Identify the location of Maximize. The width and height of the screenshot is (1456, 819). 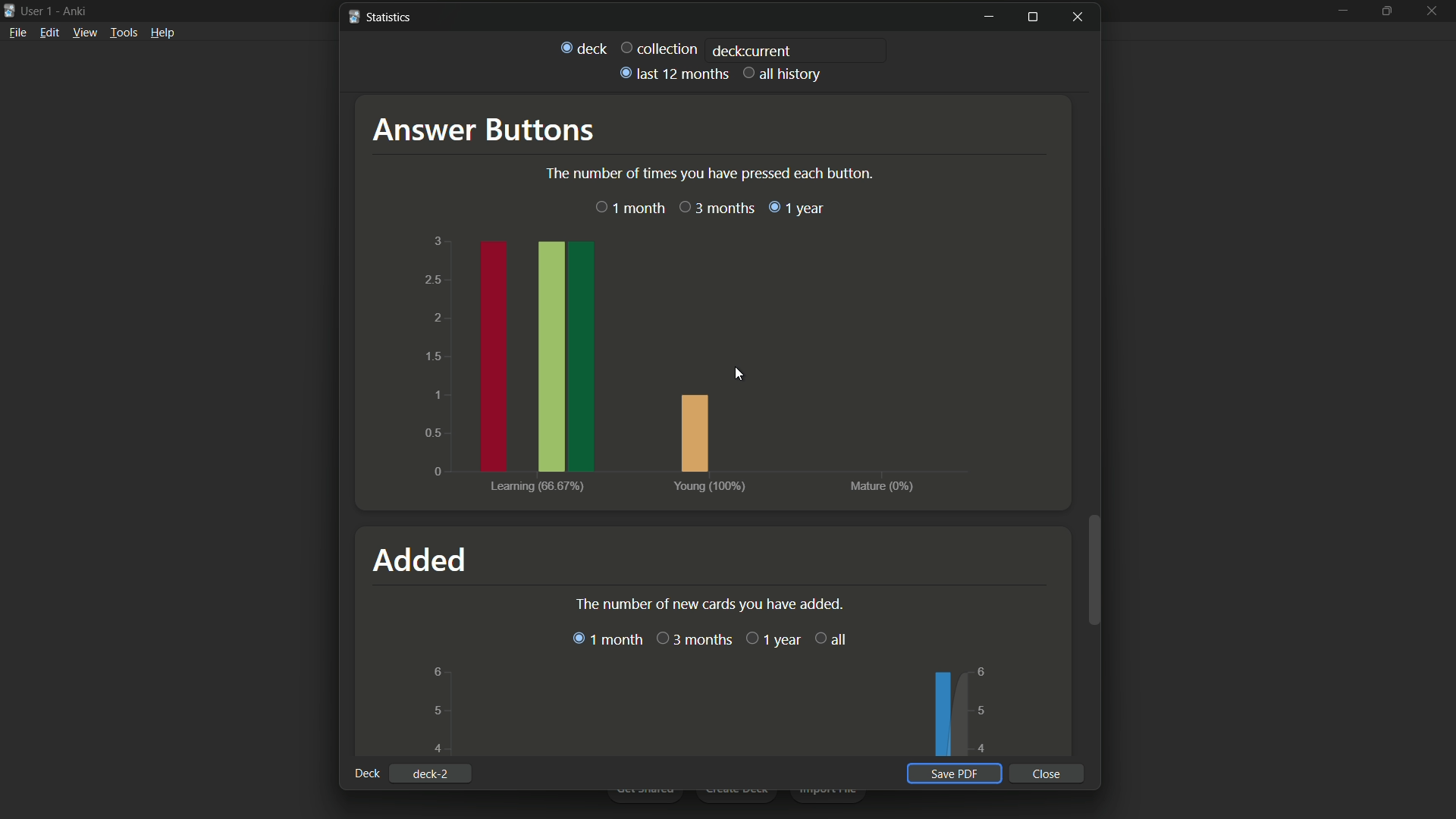
(1032, 17).